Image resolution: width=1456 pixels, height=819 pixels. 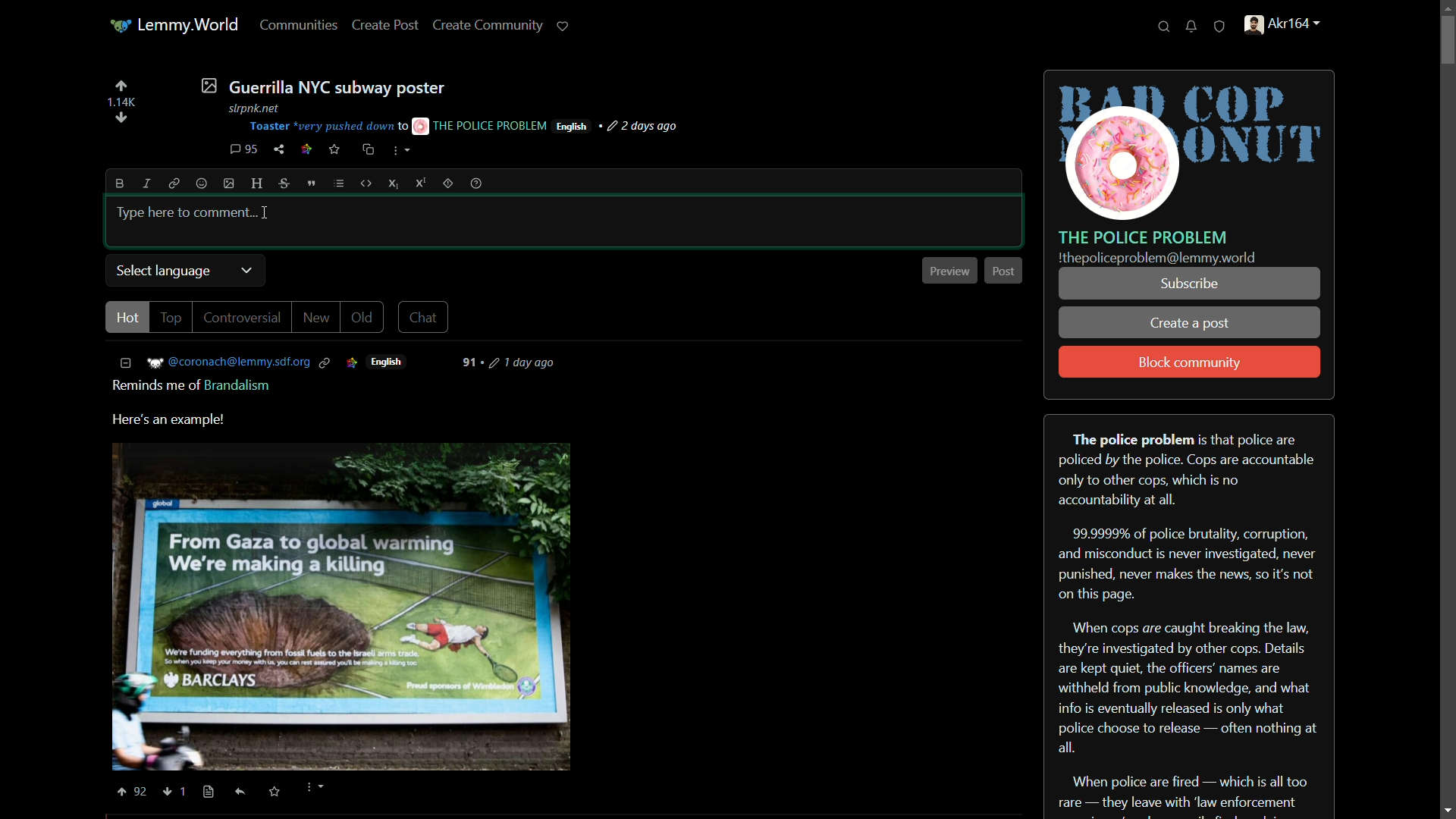 What do you see at coordinates (126, 318) in the screenshot?
I see `hot` at bounding box center [126, 318].